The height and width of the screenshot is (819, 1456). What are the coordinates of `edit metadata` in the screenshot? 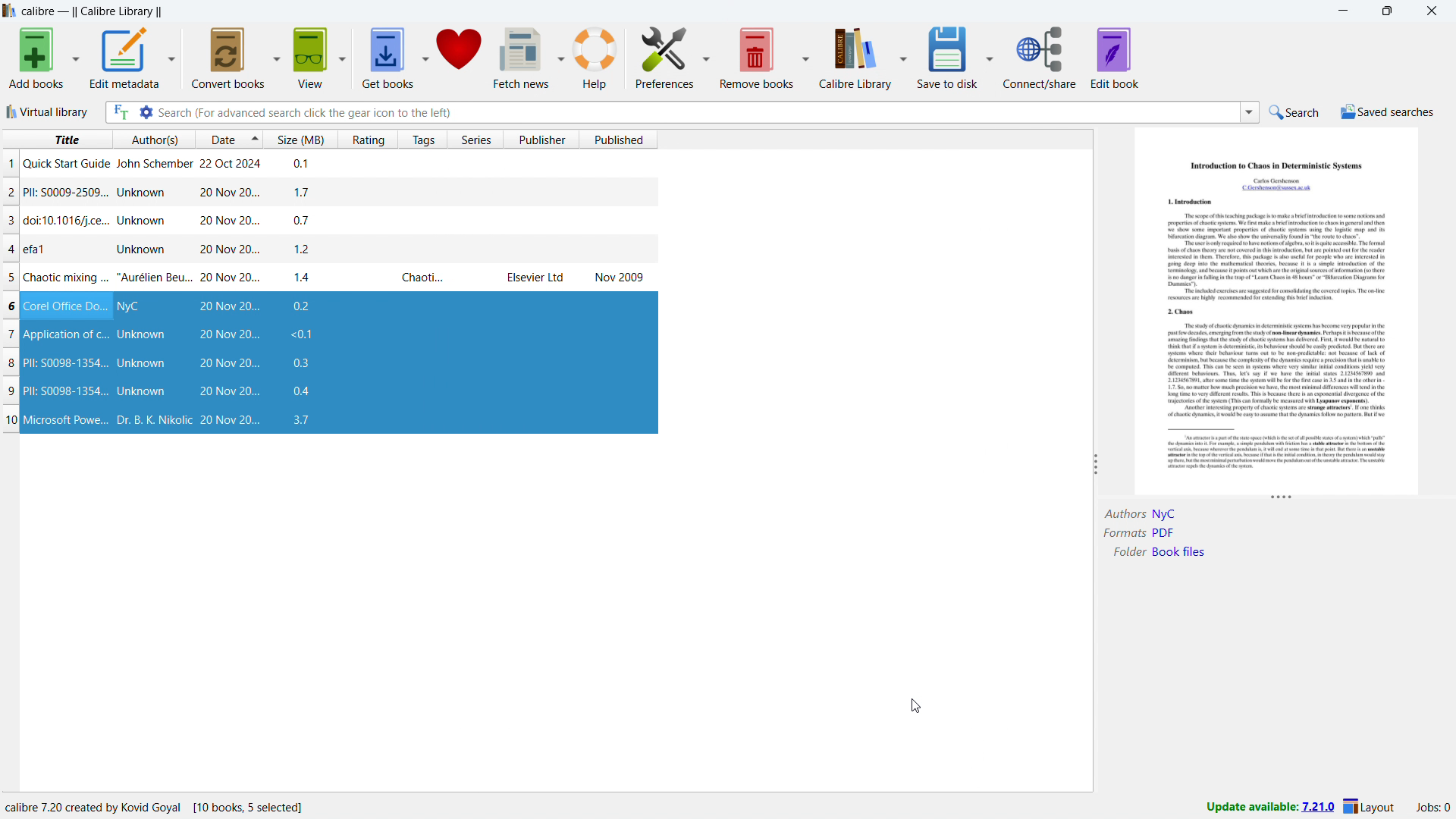 It's located at (124, 58).